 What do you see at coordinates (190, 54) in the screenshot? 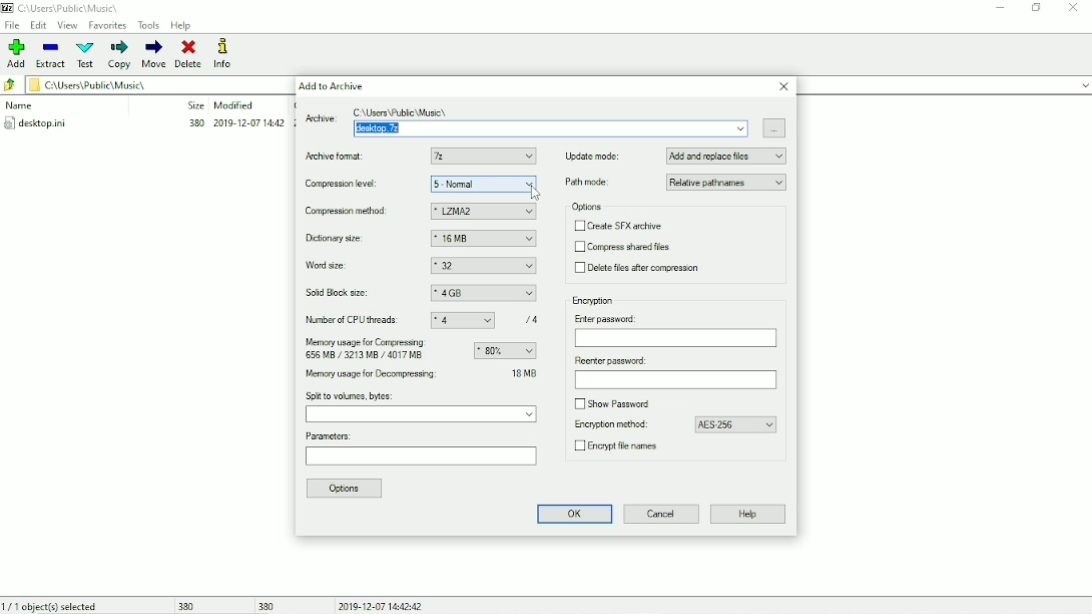
I see `Delete ` at bounding box center [190, 54].